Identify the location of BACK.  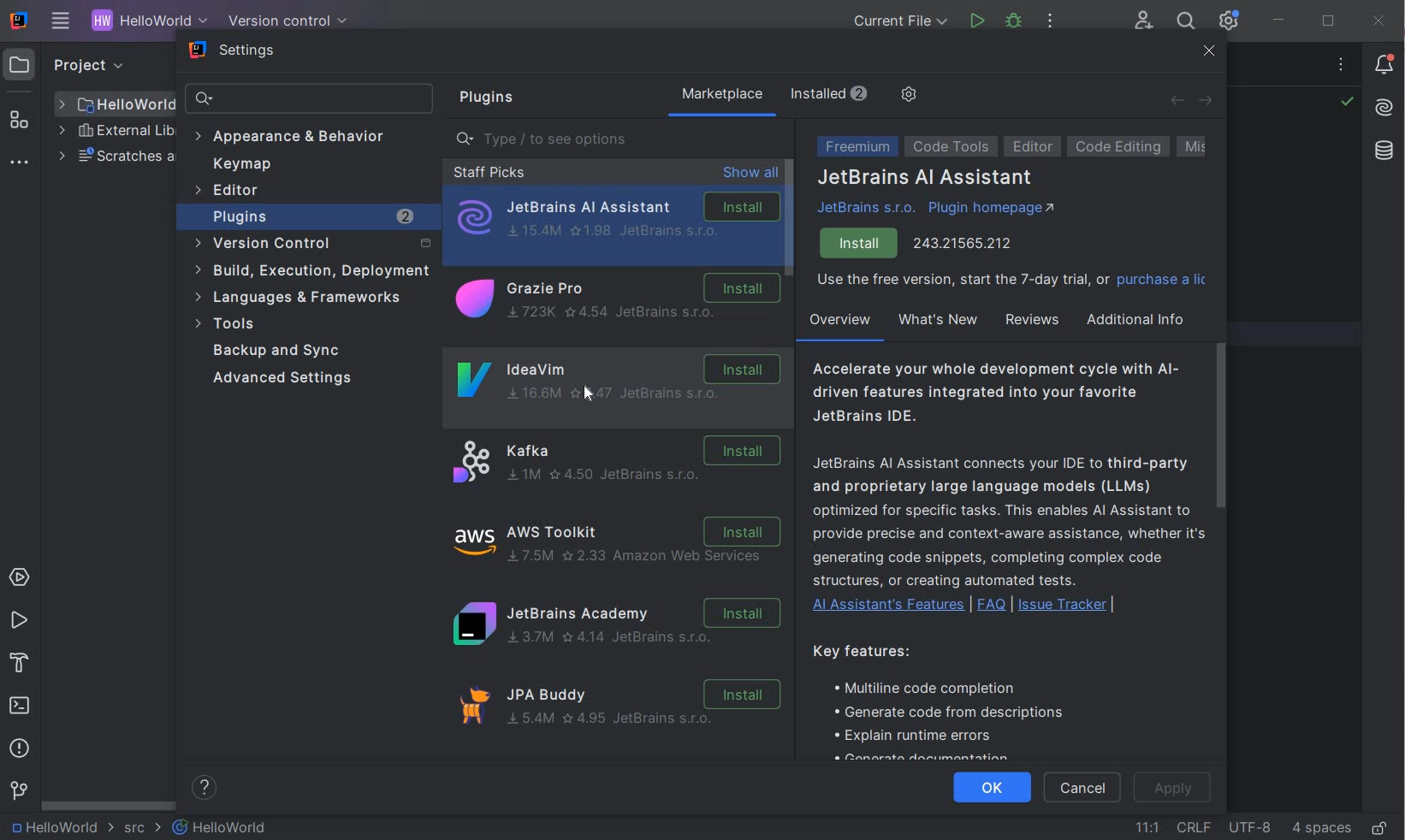
(1177, 100).